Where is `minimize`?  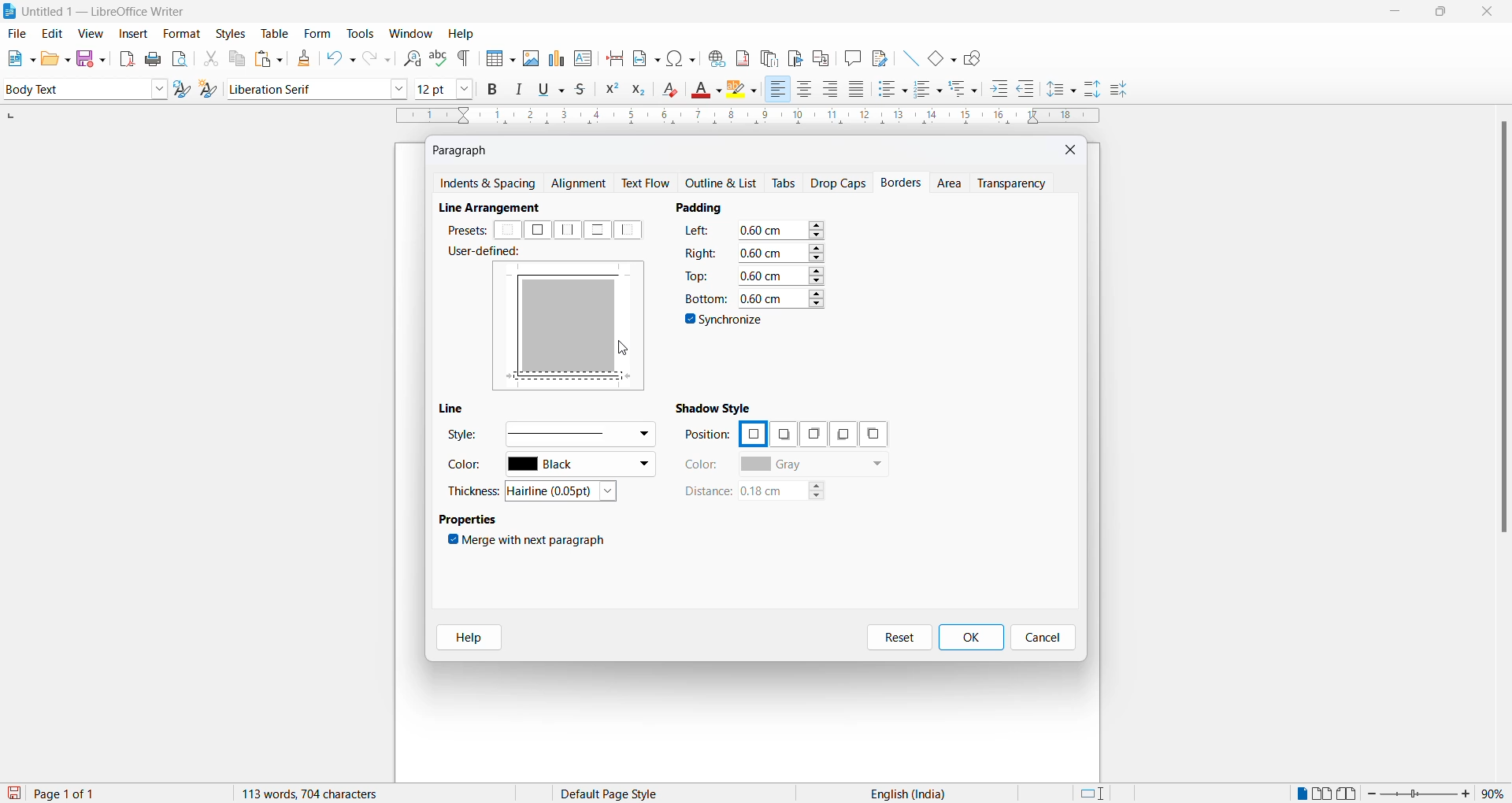 minimize is located at coordinates (1393, 14).